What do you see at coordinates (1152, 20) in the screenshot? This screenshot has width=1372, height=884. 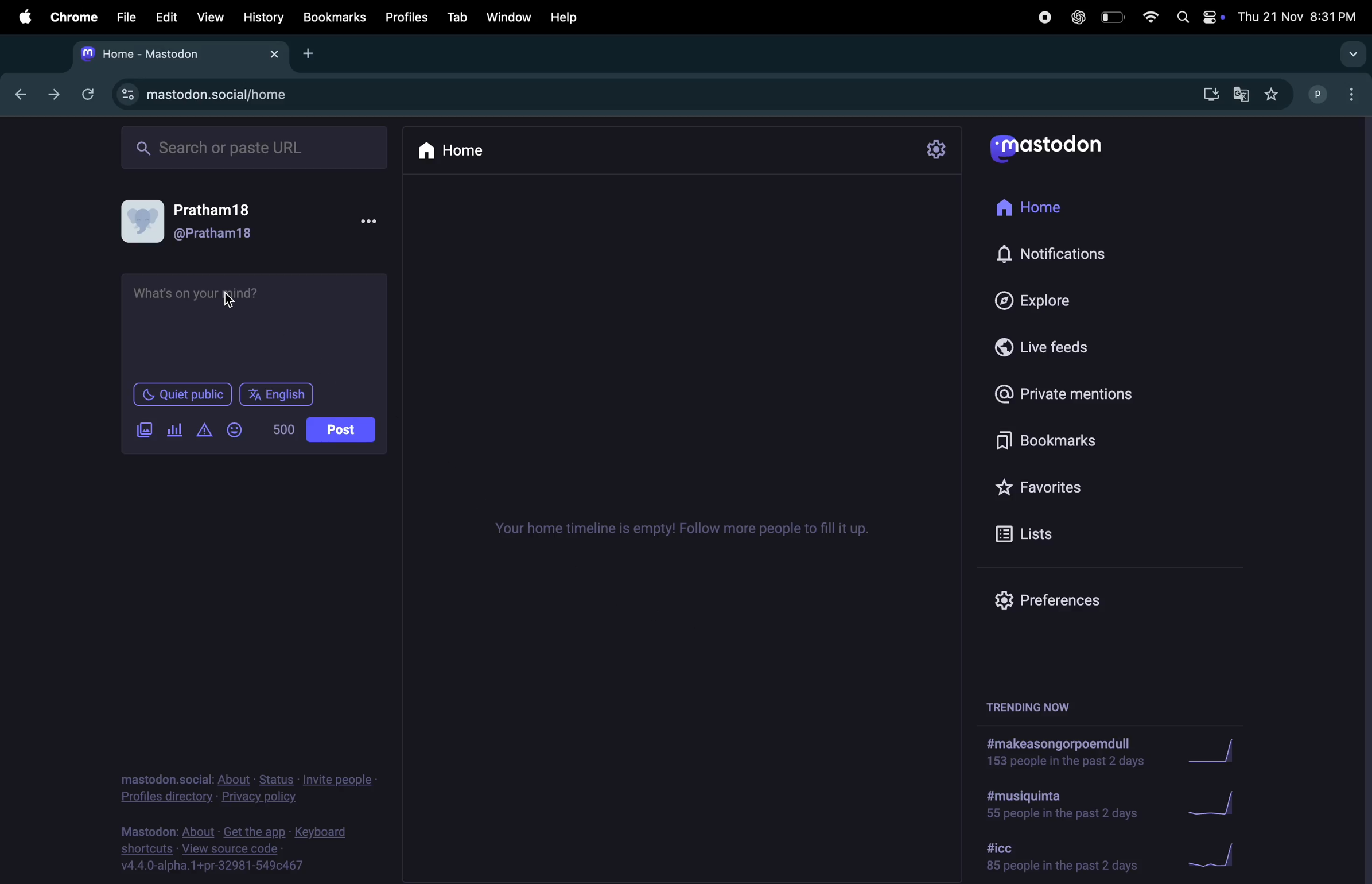 I see `wifi` at bounding box center [1152, 20].